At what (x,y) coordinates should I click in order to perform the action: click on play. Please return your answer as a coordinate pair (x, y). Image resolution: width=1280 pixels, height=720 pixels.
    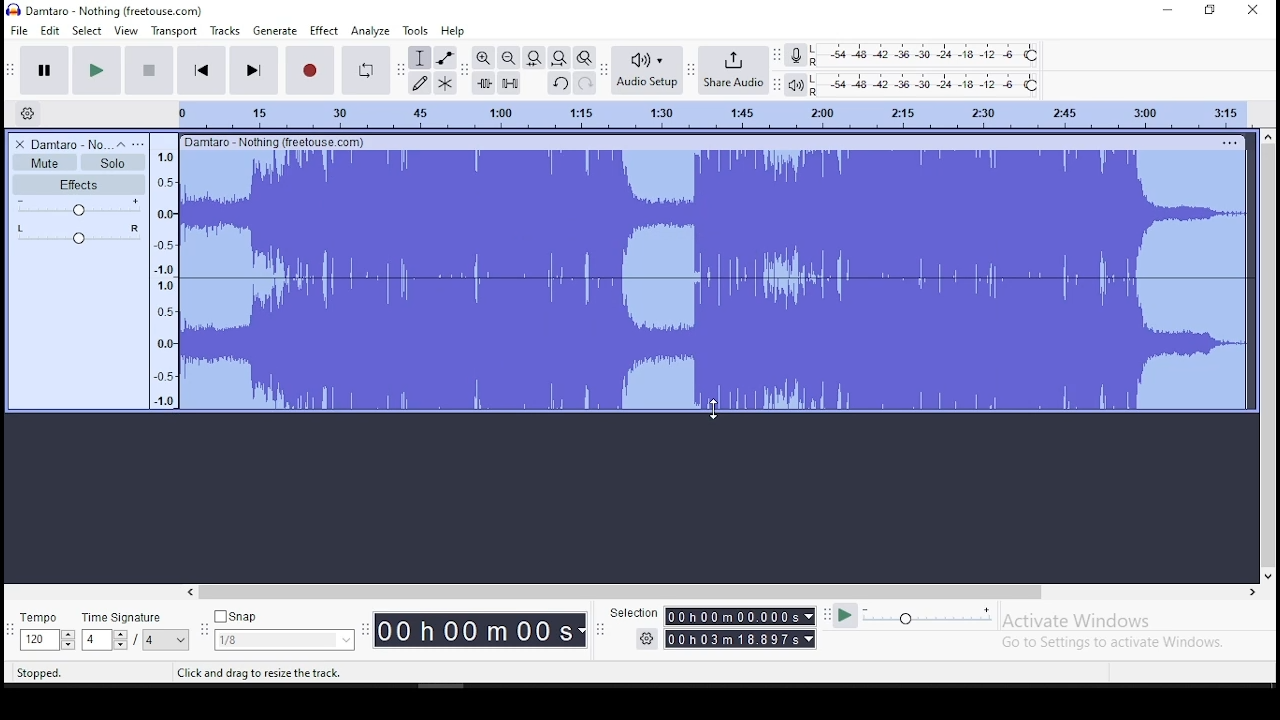
    Looking at the image, I should click on (97, 69).